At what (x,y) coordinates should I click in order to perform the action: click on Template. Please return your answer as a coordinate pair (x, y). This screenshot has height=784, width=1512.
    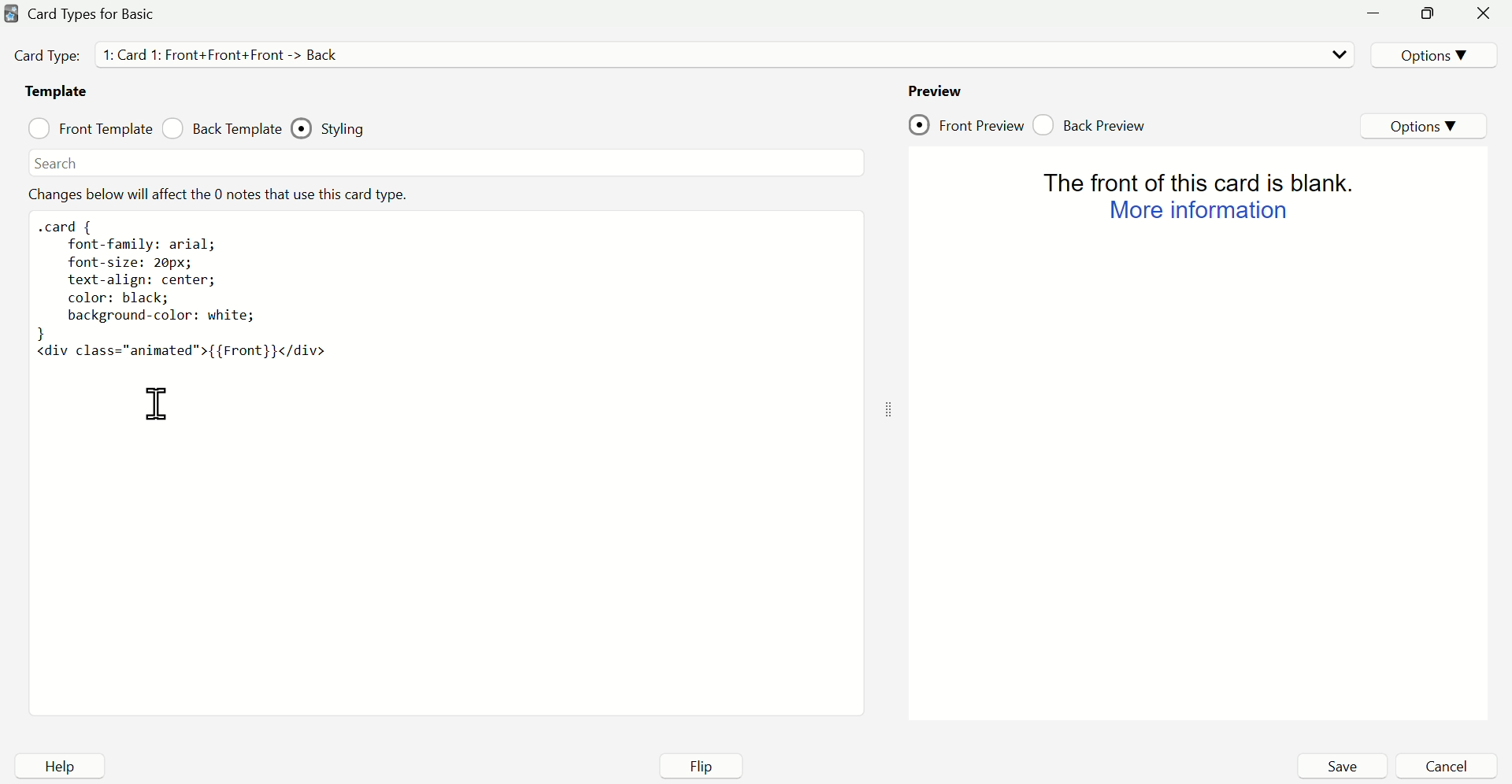
    Looking at the image, I should click on (57, 94).